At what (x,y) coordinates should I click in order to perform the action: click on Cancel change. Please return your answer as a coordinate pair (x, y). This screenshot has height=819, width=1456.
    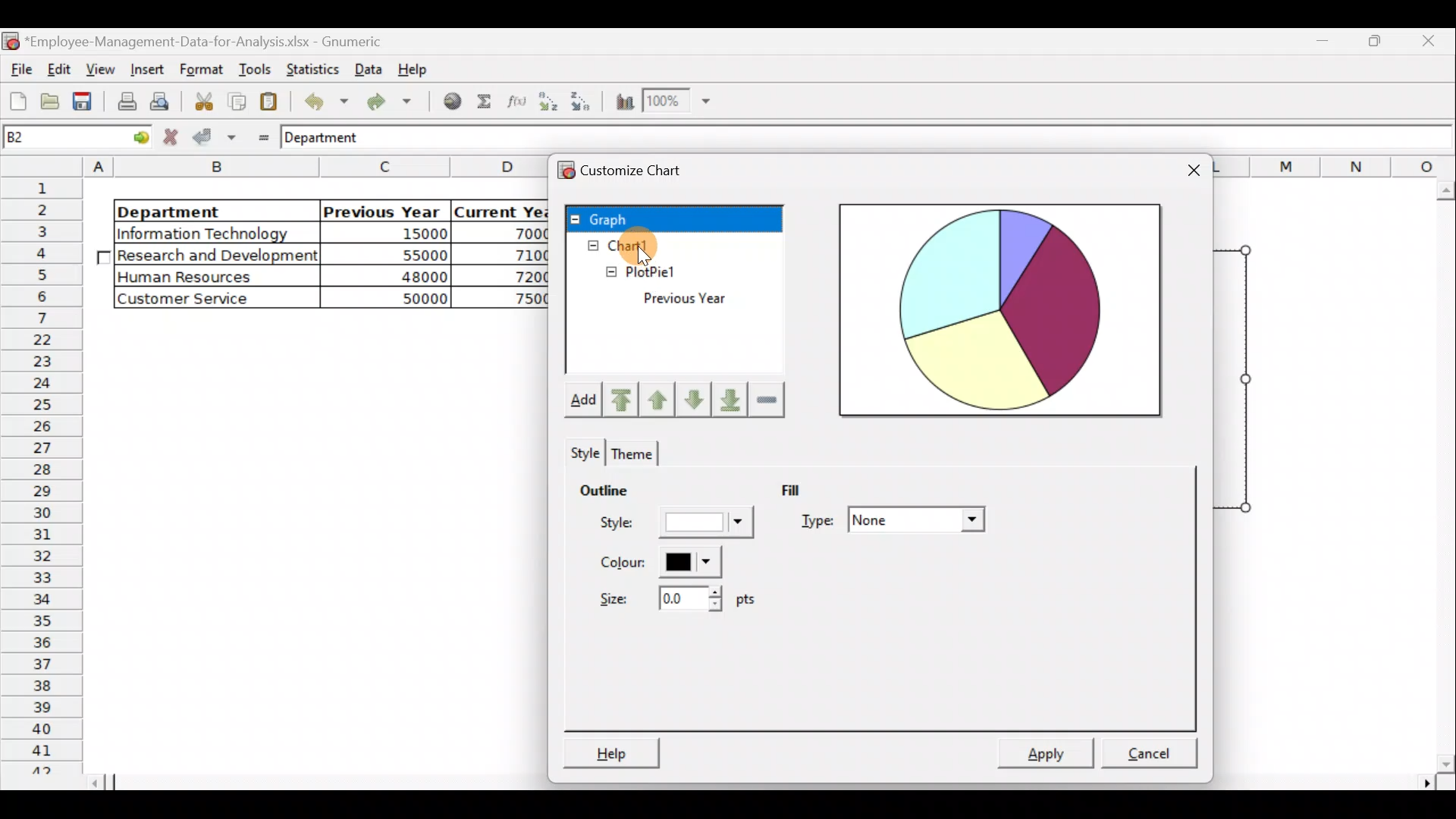
    Looking at the image, I should click on (172, 138).